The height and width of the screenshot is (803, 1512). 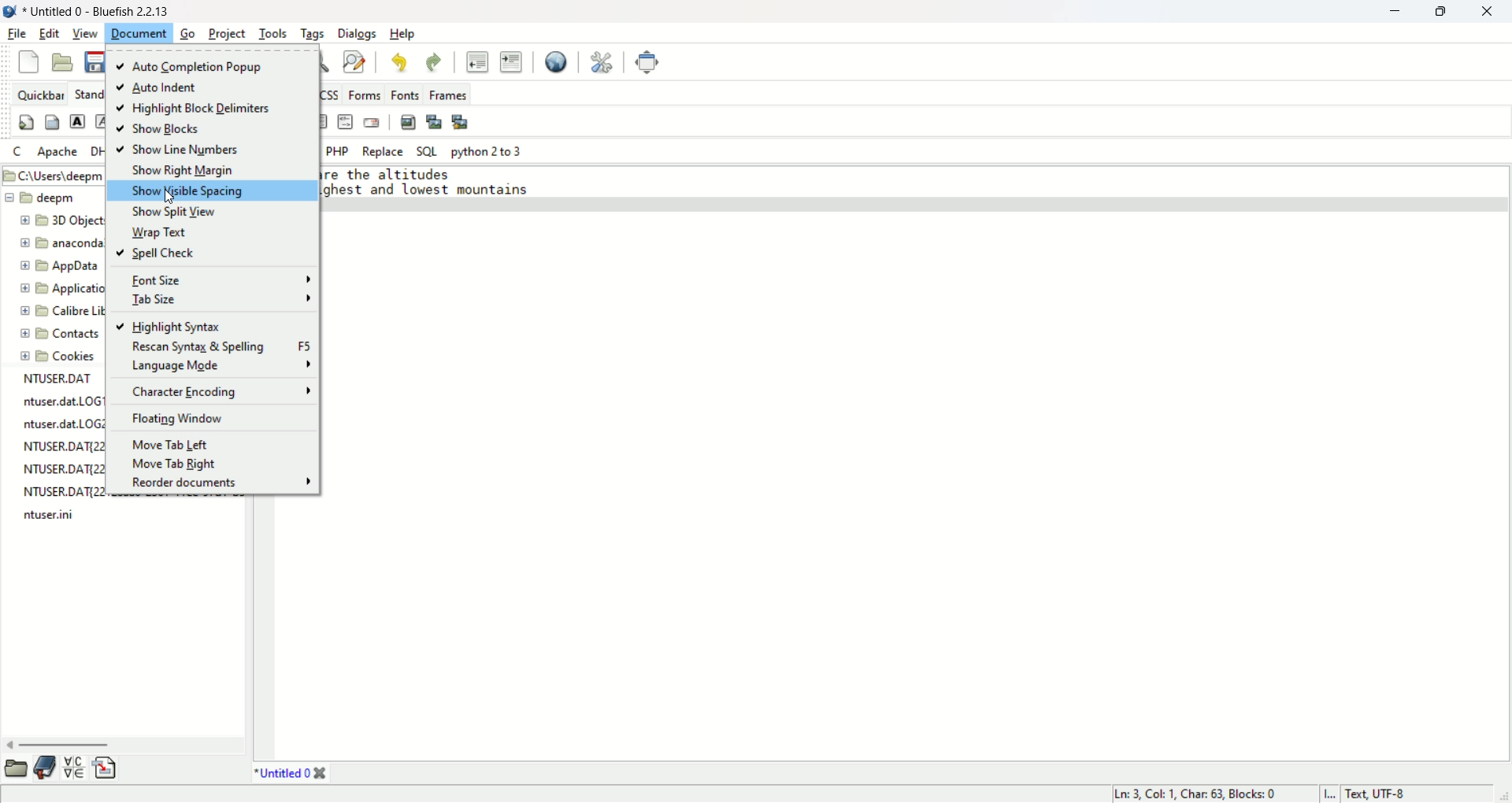 I want to click on redo, so click(x=435, y=61).